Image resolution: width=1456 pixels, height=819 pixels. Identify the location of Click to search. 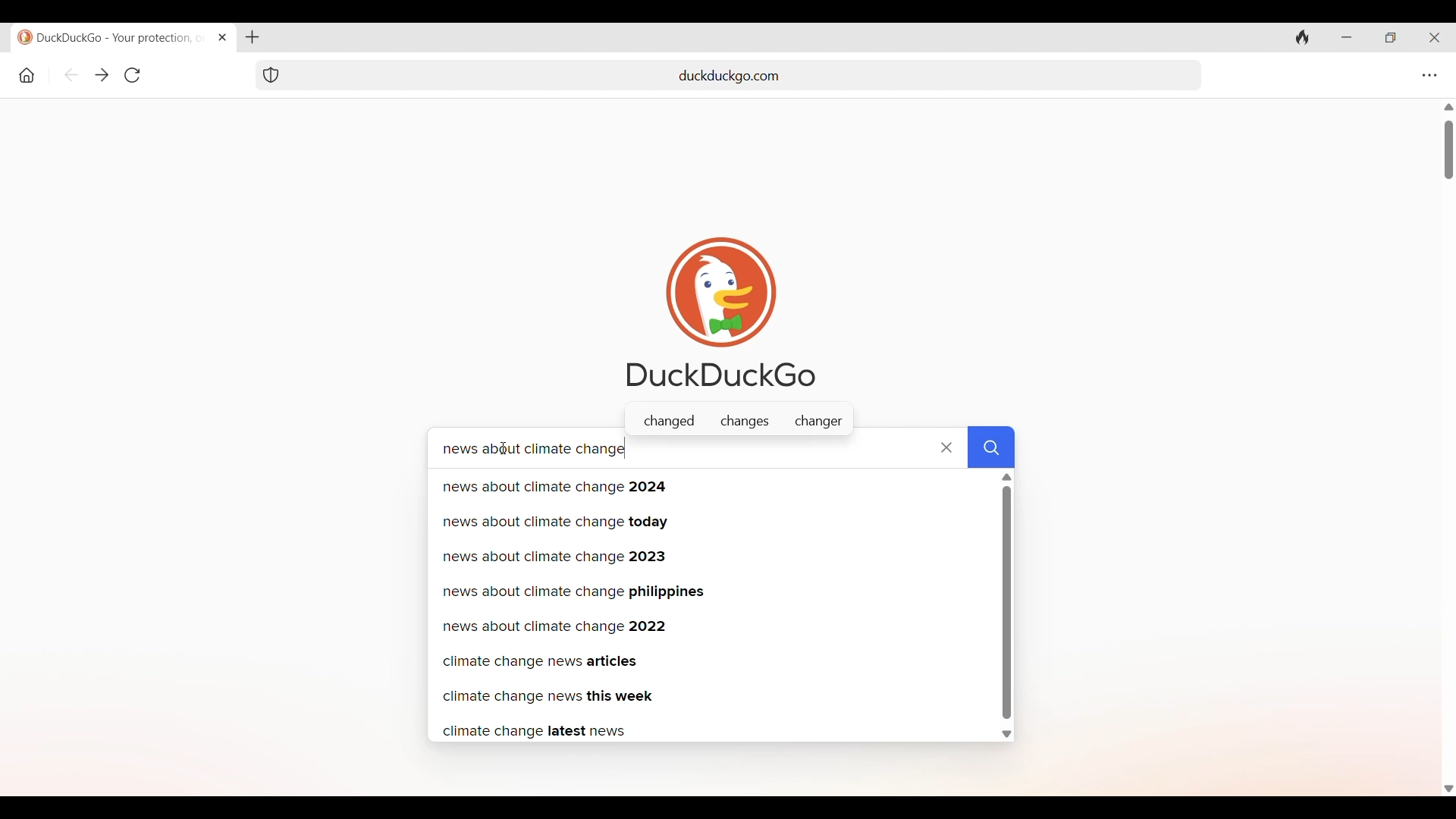
(993, 445).